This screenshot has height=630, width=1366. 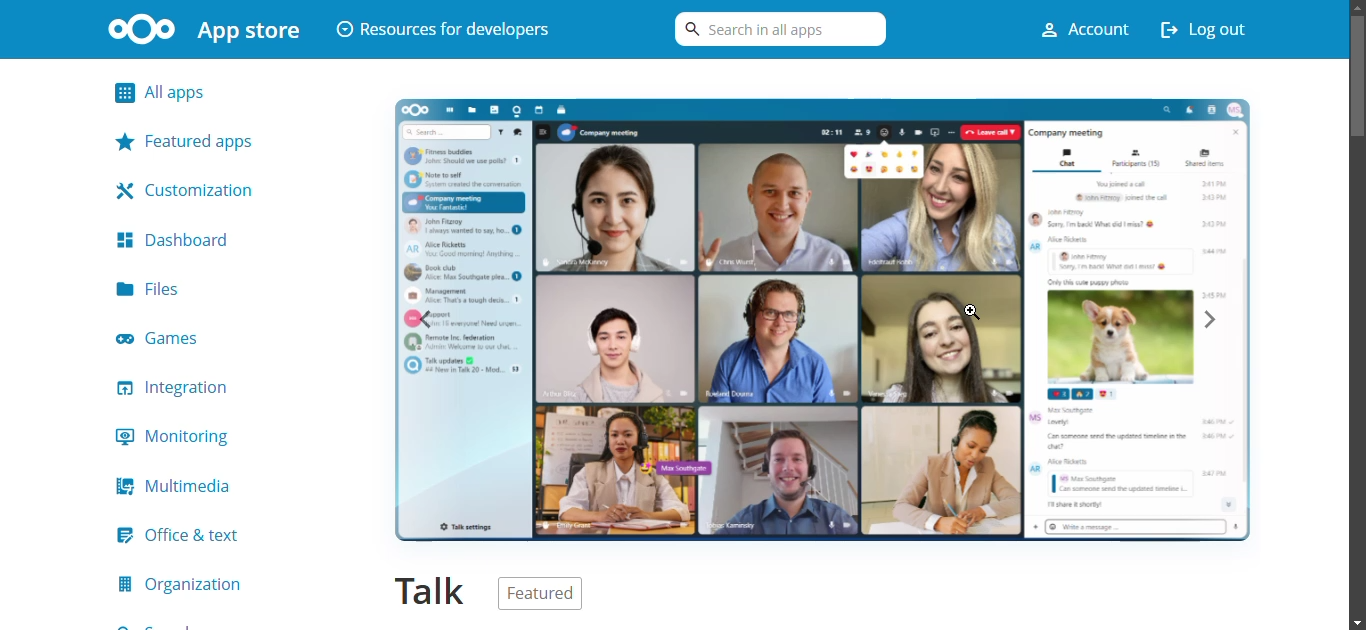 What do you see at coordinates (202, 29) in the screenshot?
I see `app store` at bounding box center [202, 29].